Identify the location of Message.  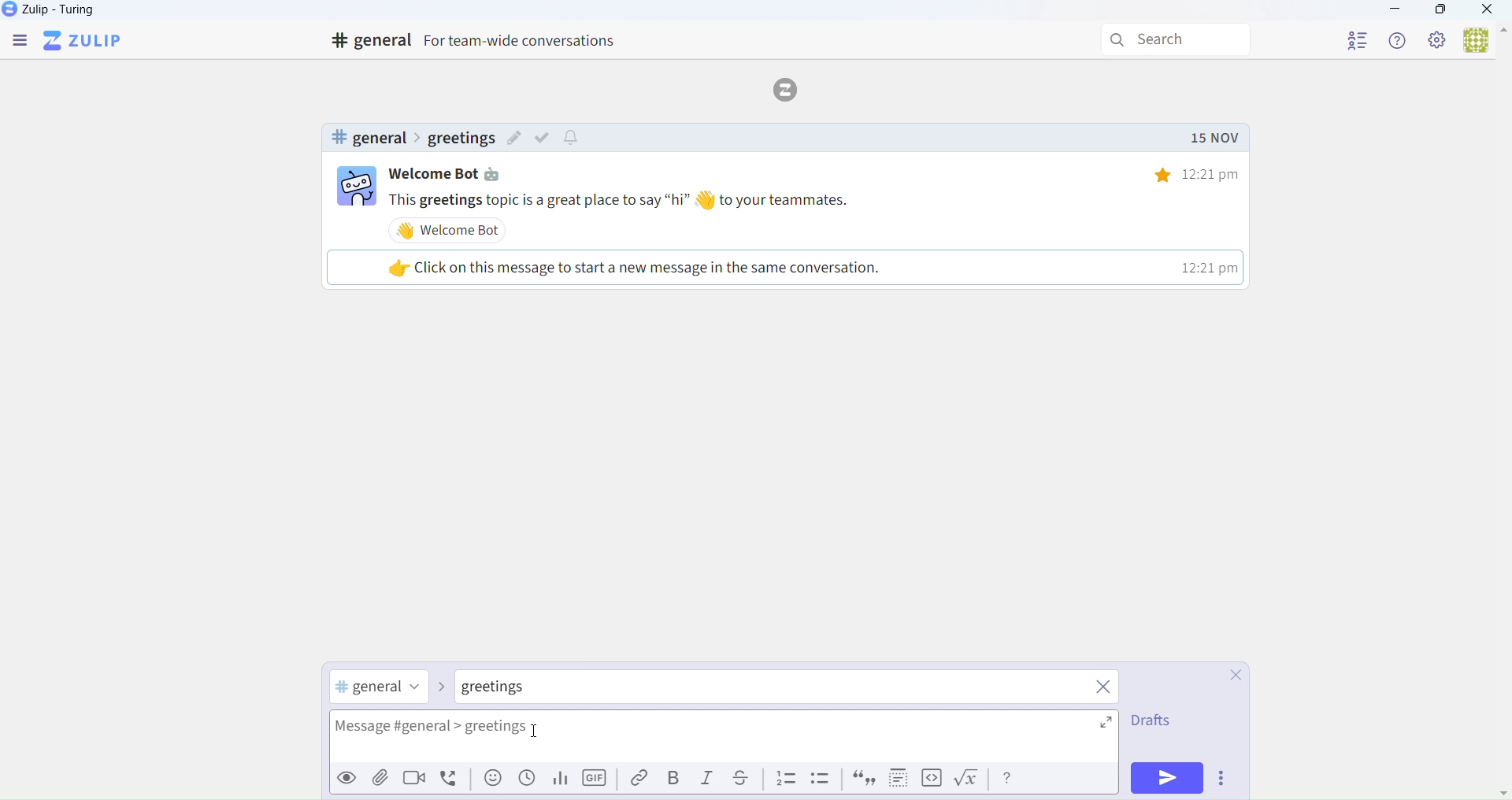
(729, 738).